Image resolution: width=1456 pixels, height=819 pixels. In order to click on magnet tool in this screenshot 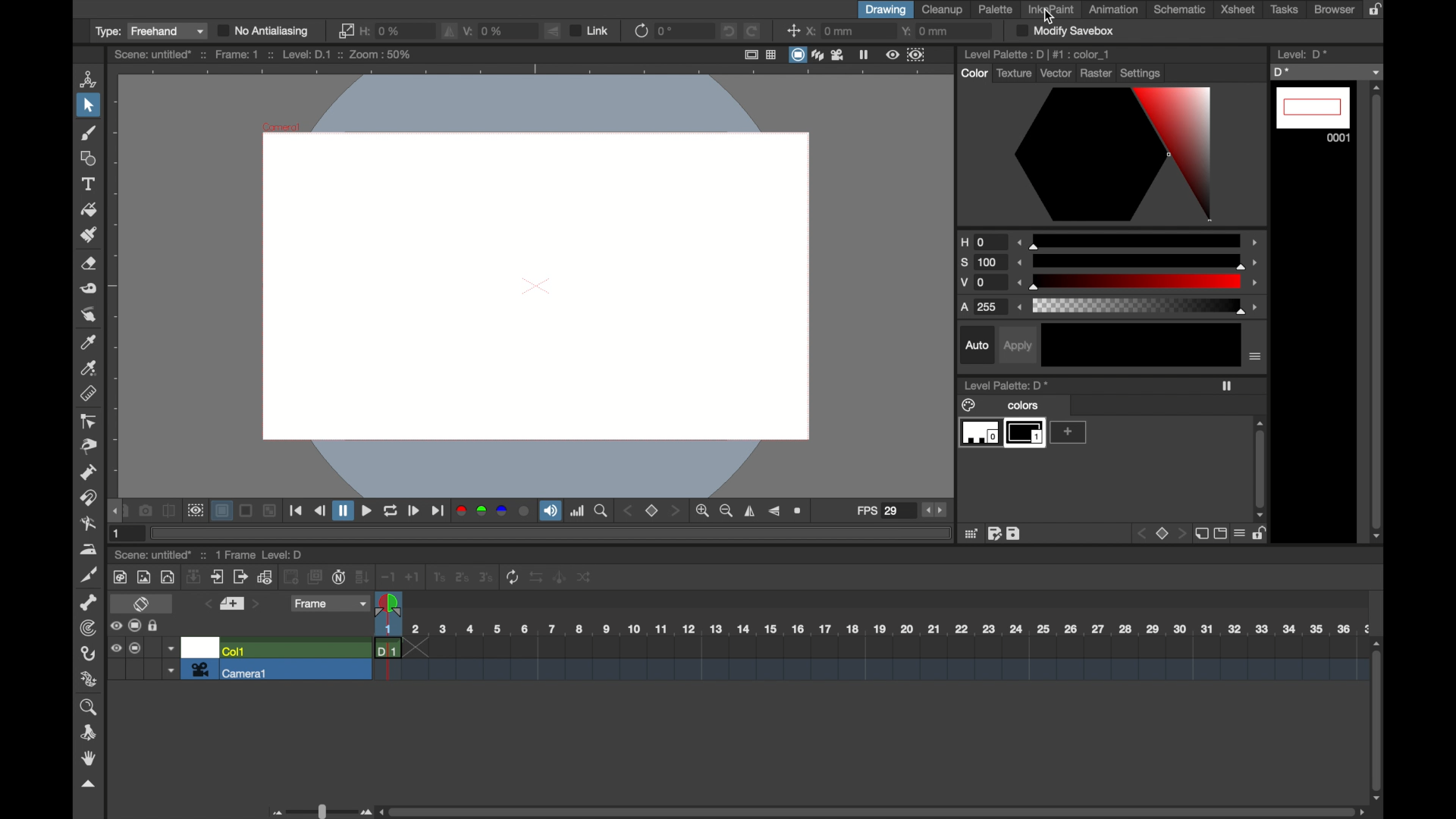, I will do `click(87, 498)`.